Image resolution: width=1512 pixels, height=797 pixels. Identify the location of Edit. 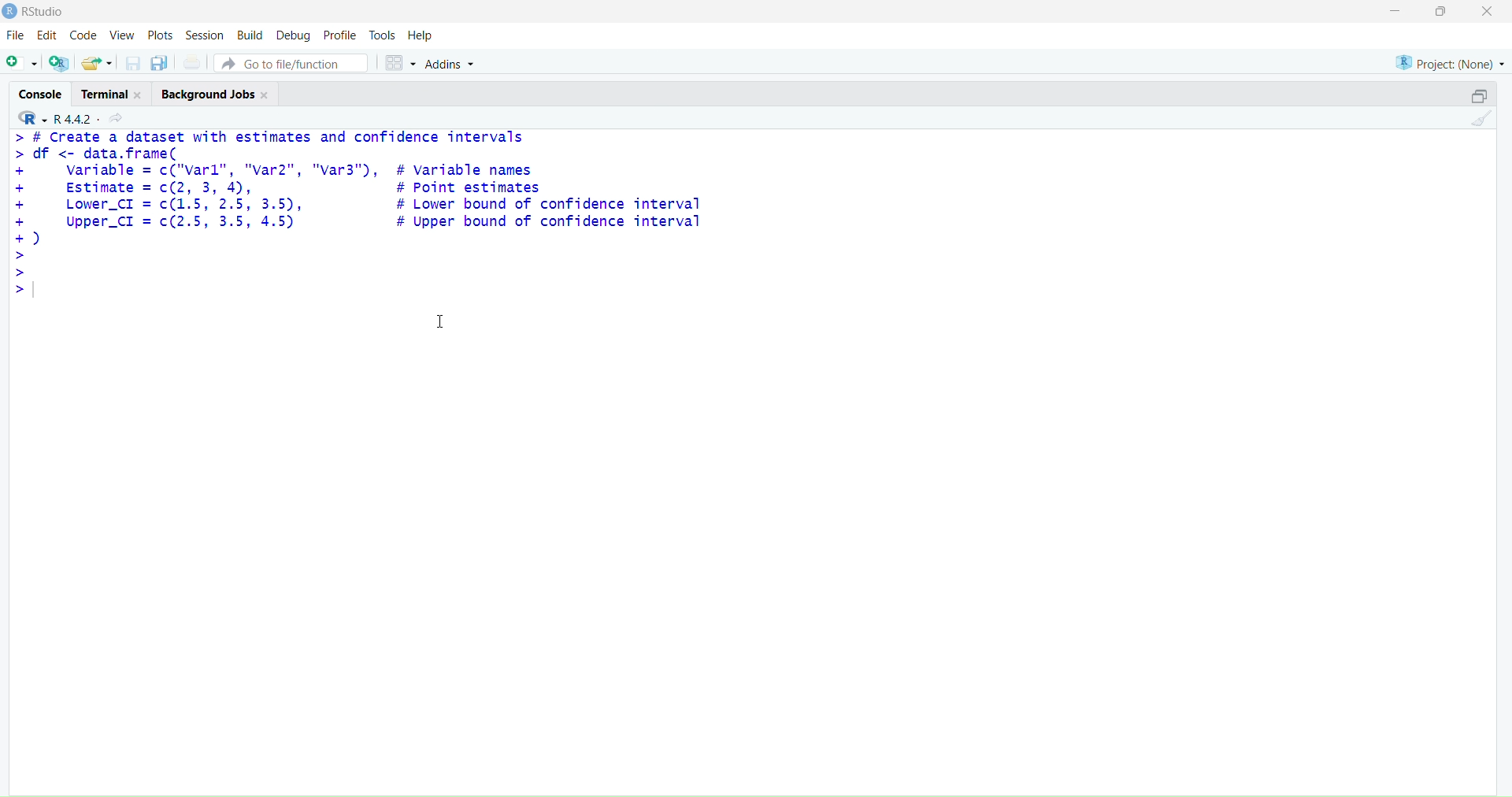
(46, 35).